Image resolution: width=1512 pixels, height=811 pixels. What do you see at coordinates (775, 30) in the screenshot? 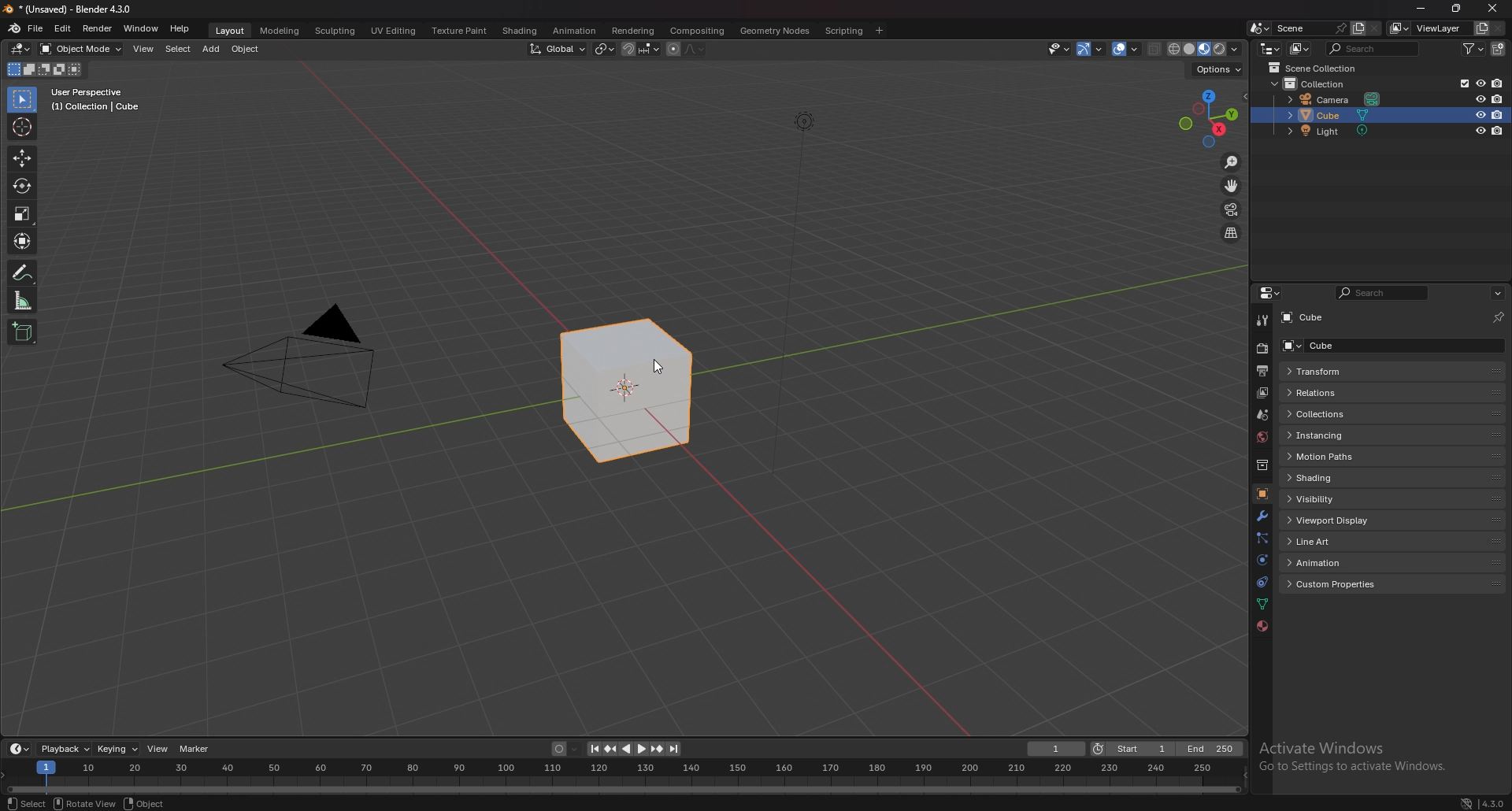
I see `geometry nodes` at bounding box center [775, 30].